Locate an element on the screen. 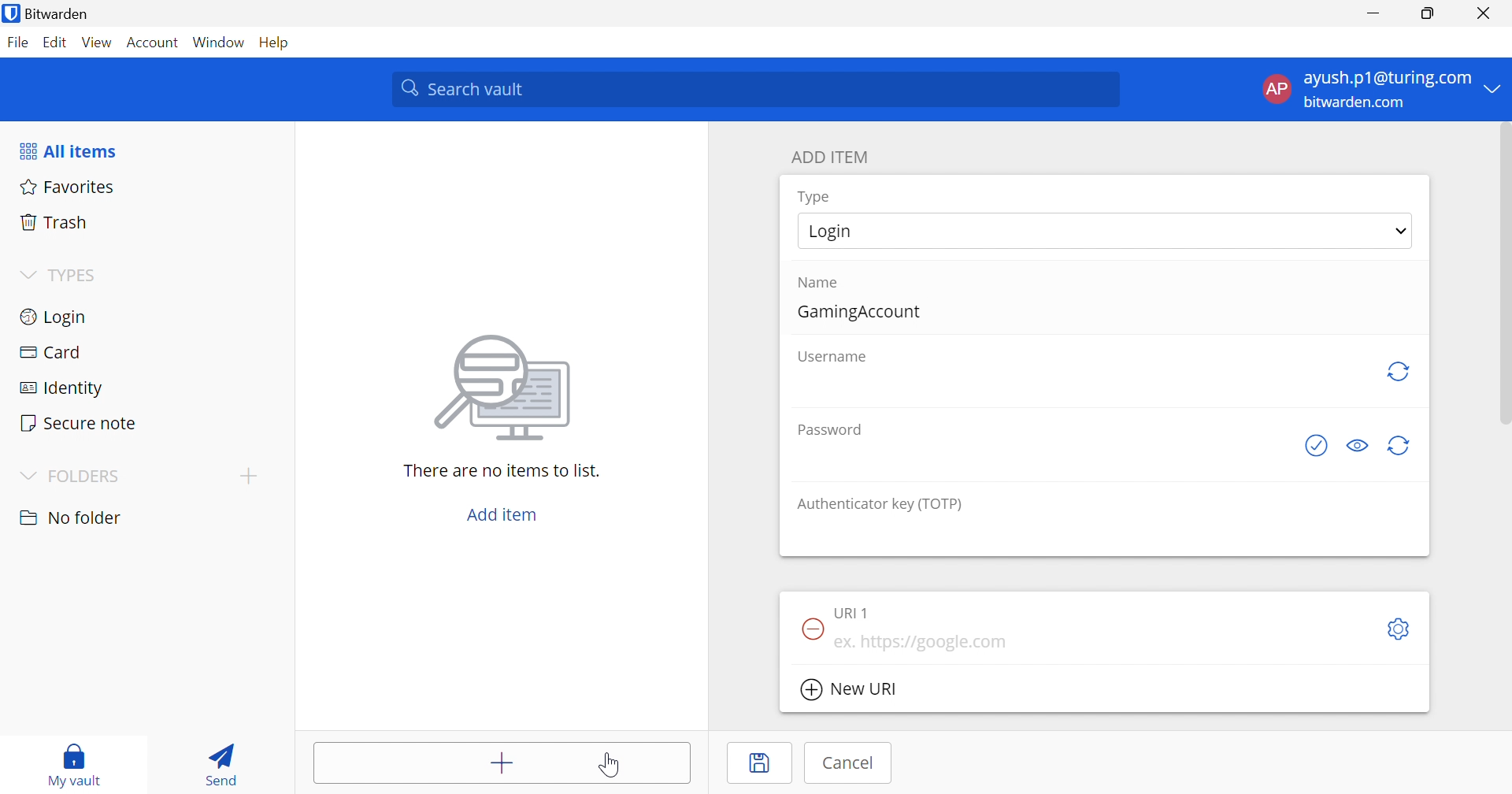 The height and width of the screenshot is (794, 1512). Minimize is located at coordinates (1373, 14).